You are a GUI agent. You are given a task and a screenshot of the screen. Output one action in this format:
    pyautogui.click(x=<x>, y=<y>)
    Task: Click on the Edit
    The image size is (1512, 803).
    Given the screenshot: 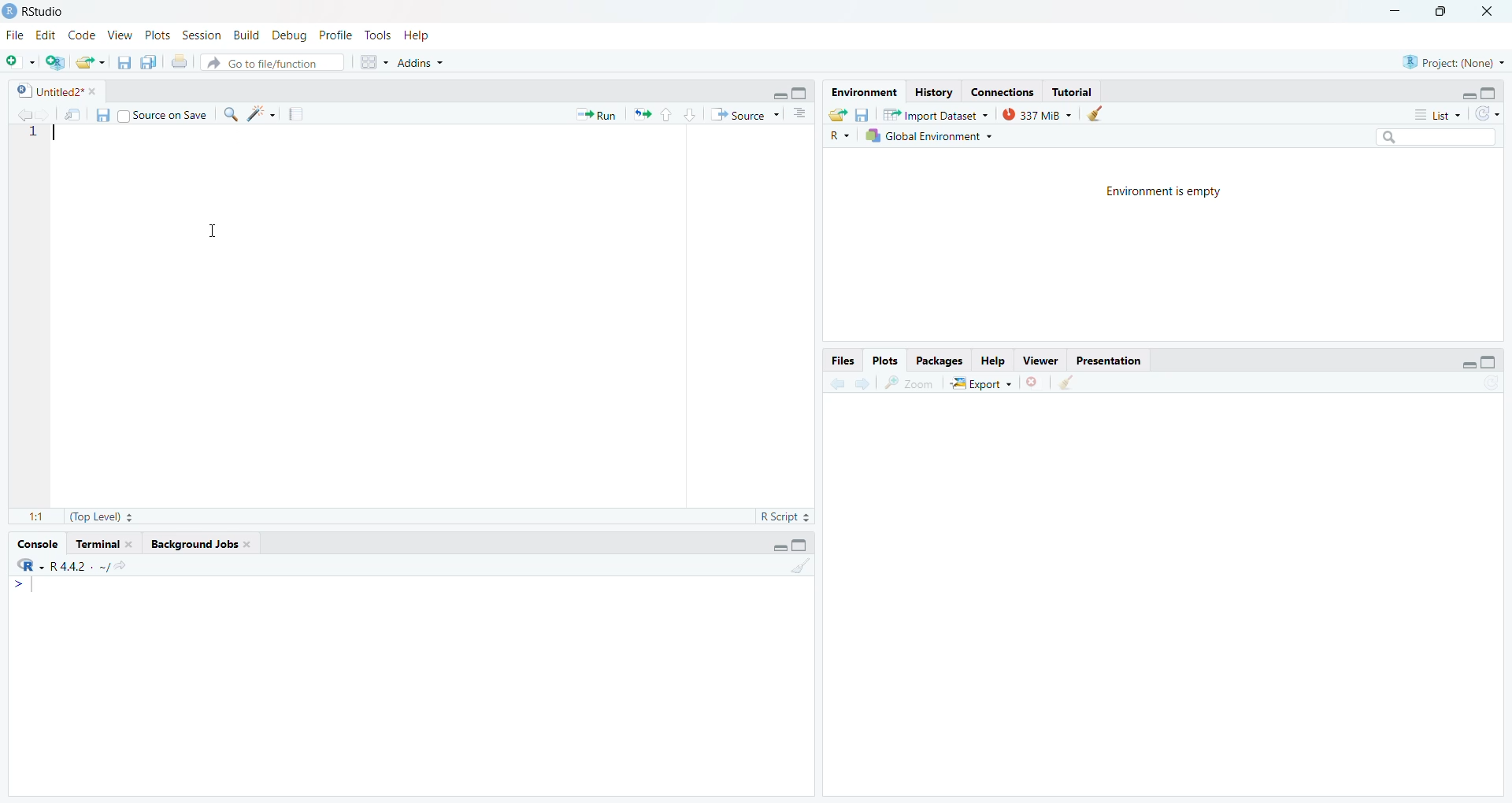 What is the action you would take?
    pyautogui.click(x=45, y=36)
    